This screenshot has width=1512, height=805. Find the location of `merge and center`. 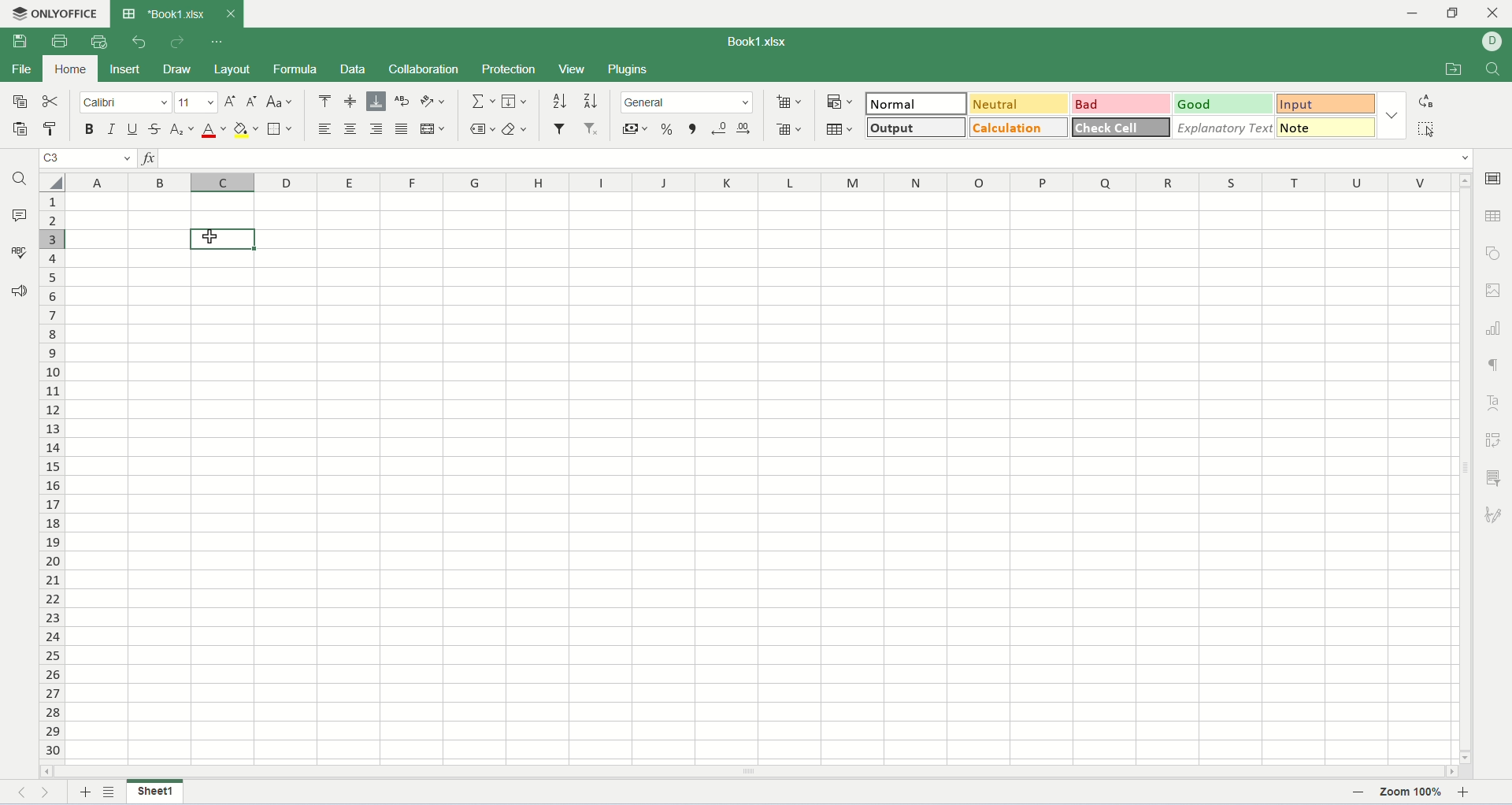

merge and center is located at coordinates (433, 128).